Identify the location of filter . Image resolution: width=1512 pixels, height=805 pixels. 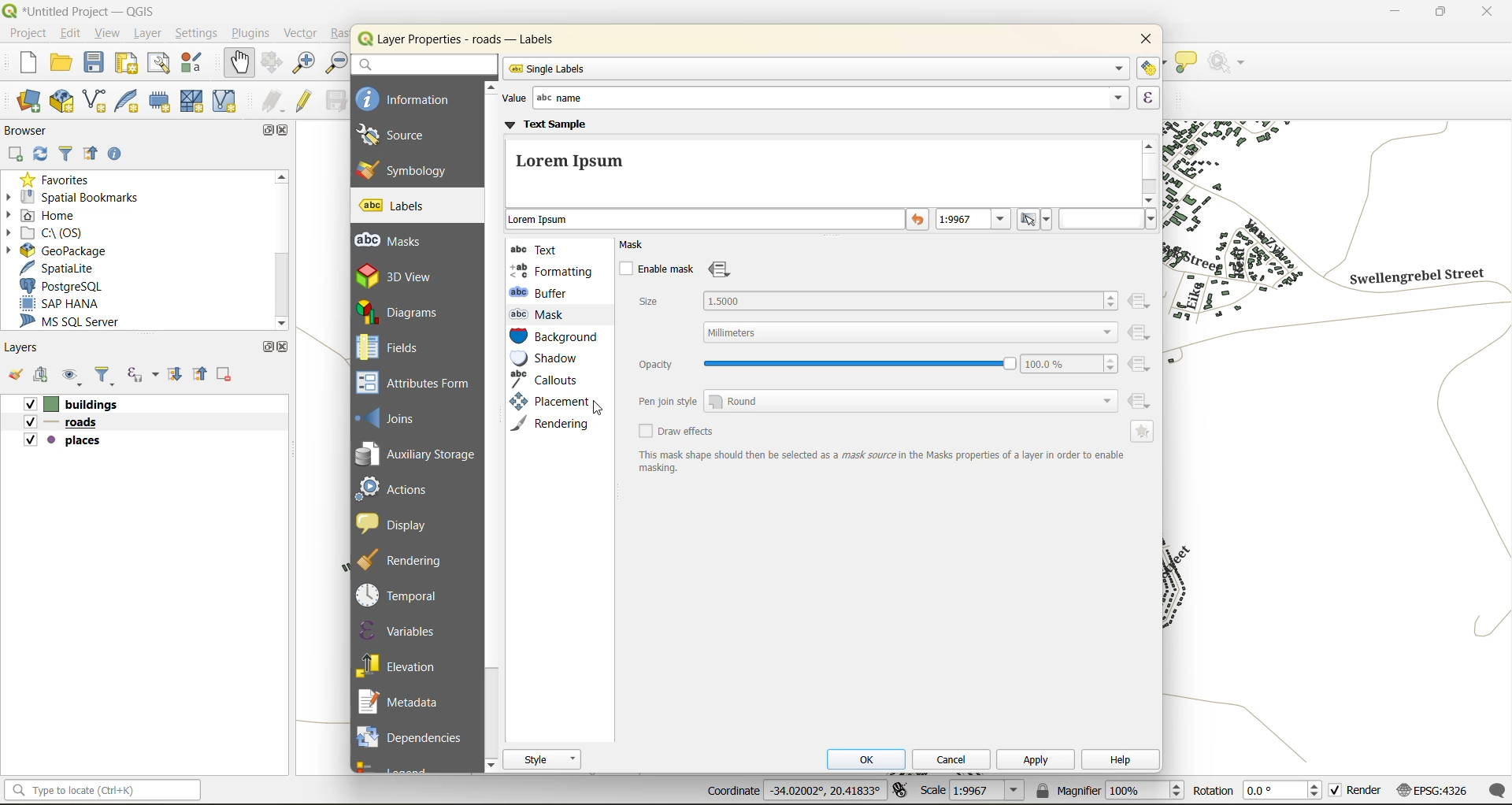
(106, 377).